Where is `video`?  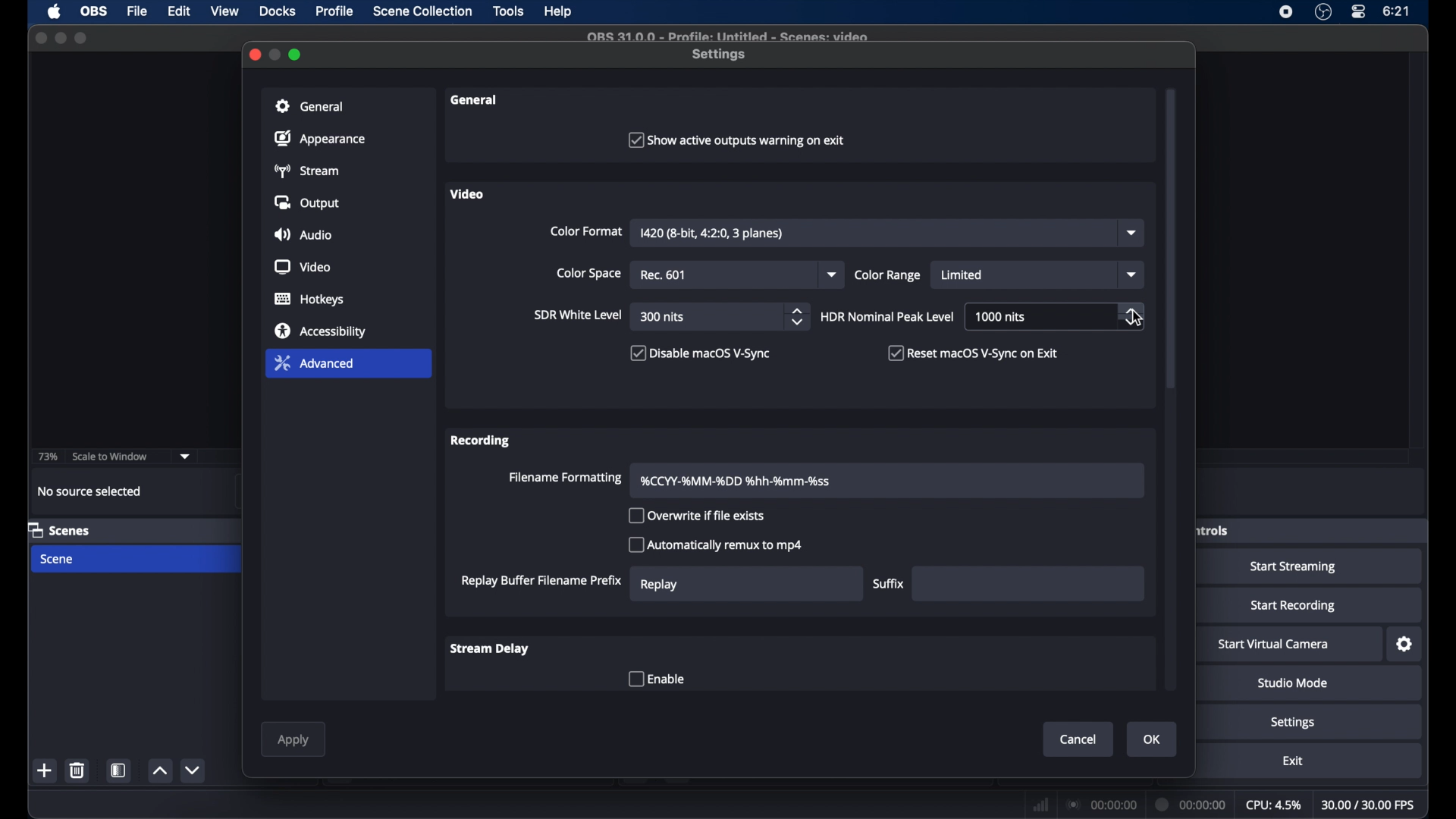 video is located at coordinates (302, 267).